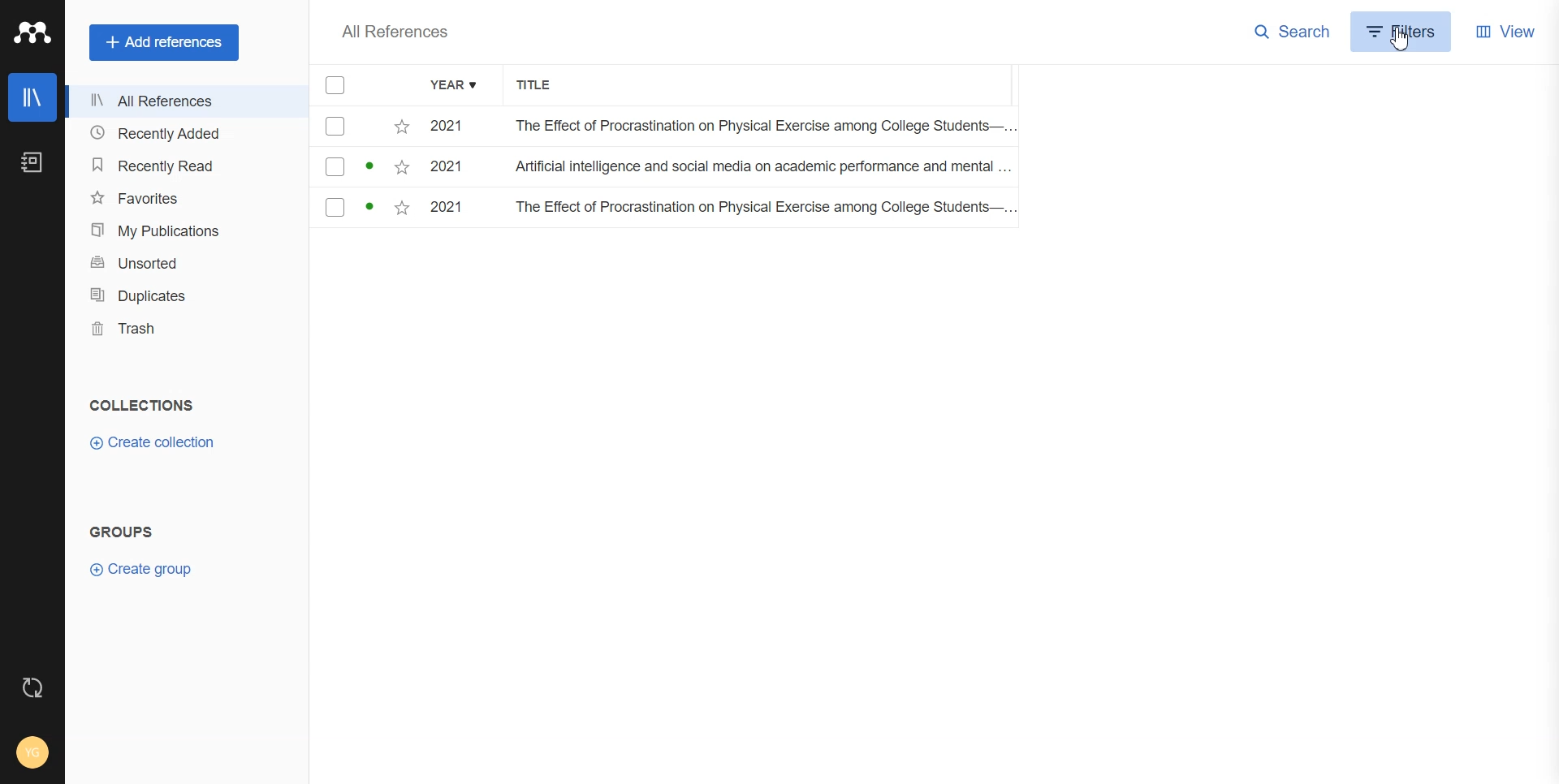  What do you see at coordinates (184, 165) in the screenshot?
I see `Recently Read` at bounding box center [184, 165].